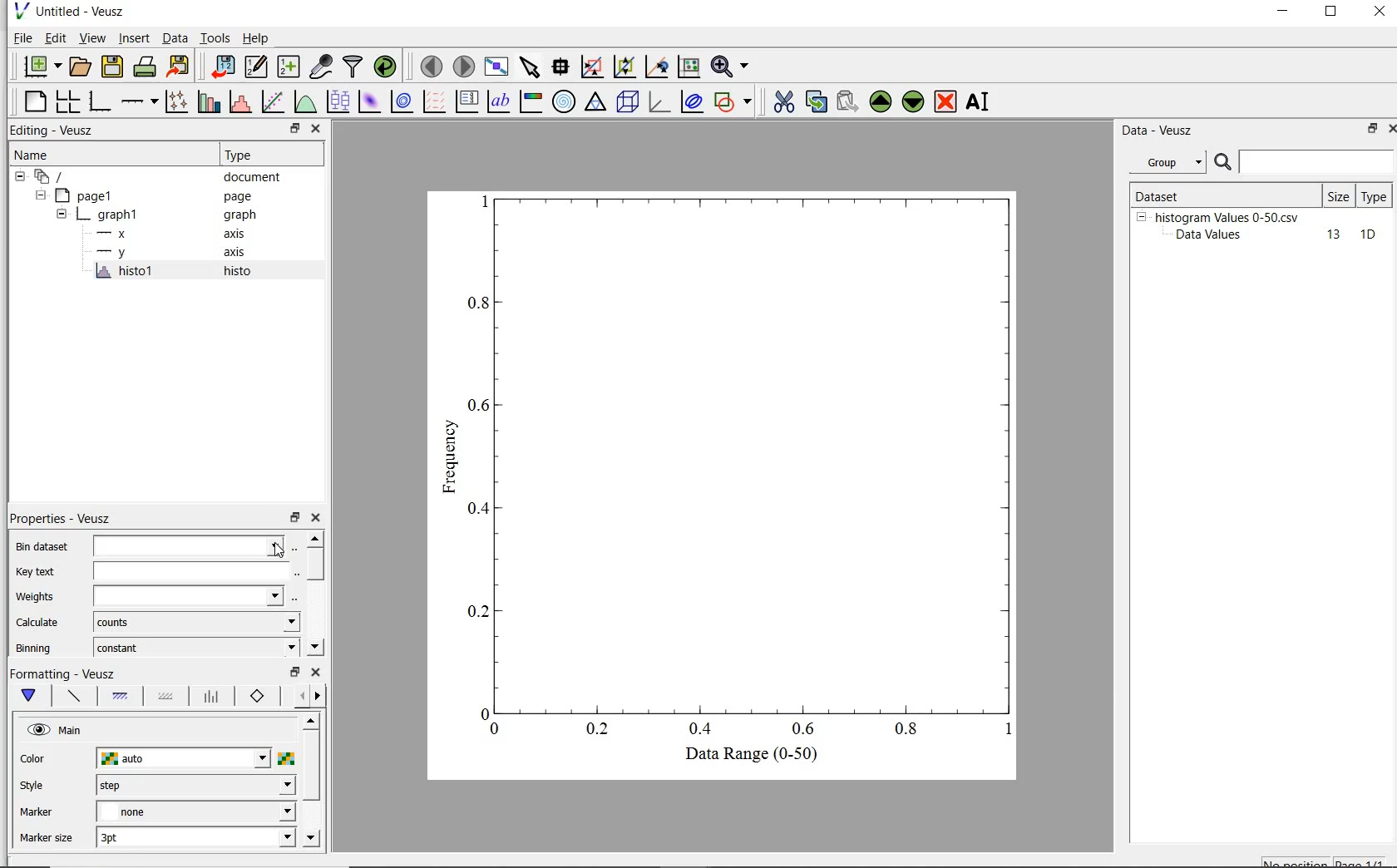 This screenshot has height=868, width=1397. I want to click on help, so click(259, 38).